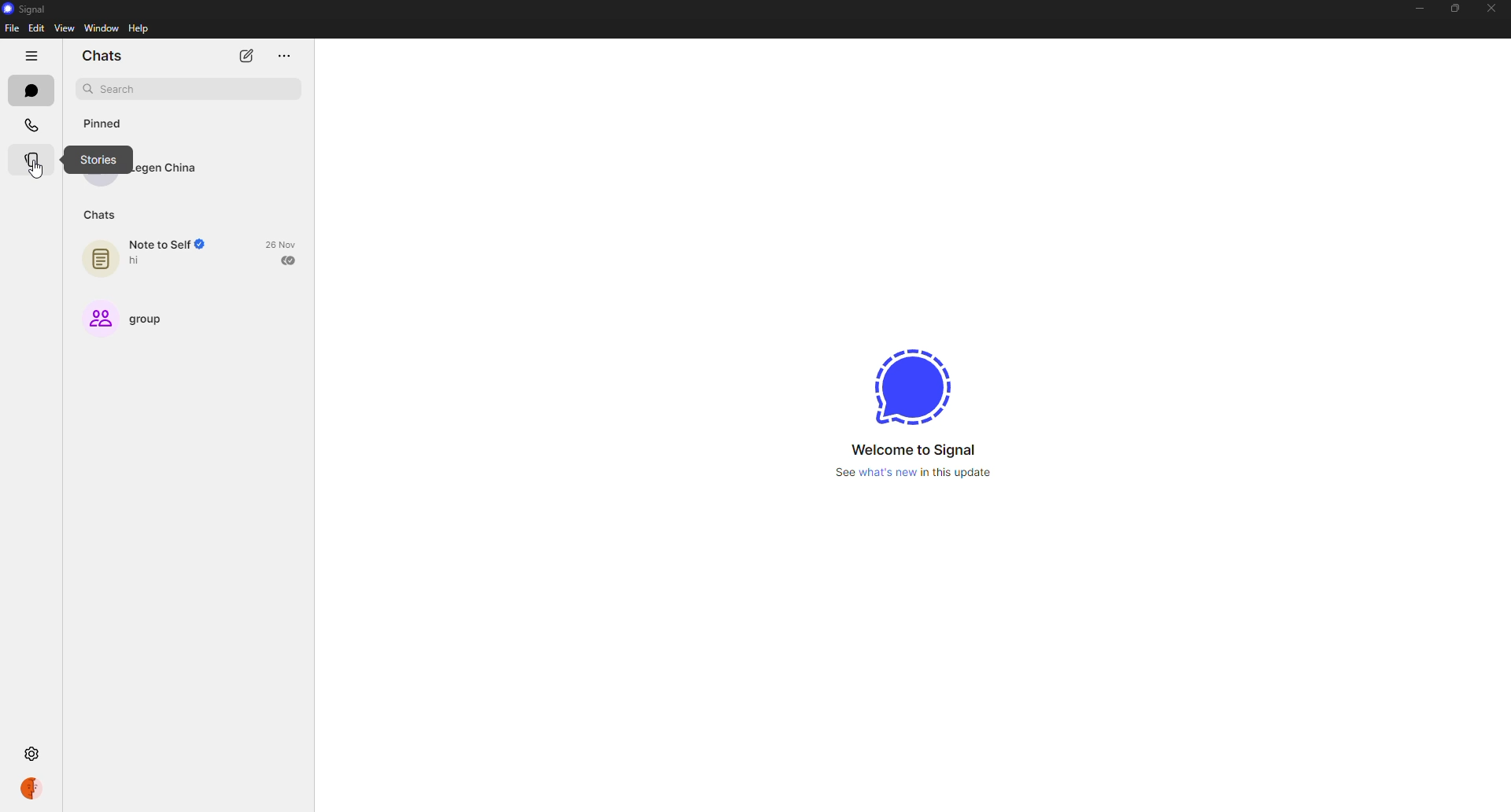 The height and width of the screenshot is (812, 1511). What do you see at coordinates (65, 28) in the screenshot?
I see `view` at bounding box center [65, 28].